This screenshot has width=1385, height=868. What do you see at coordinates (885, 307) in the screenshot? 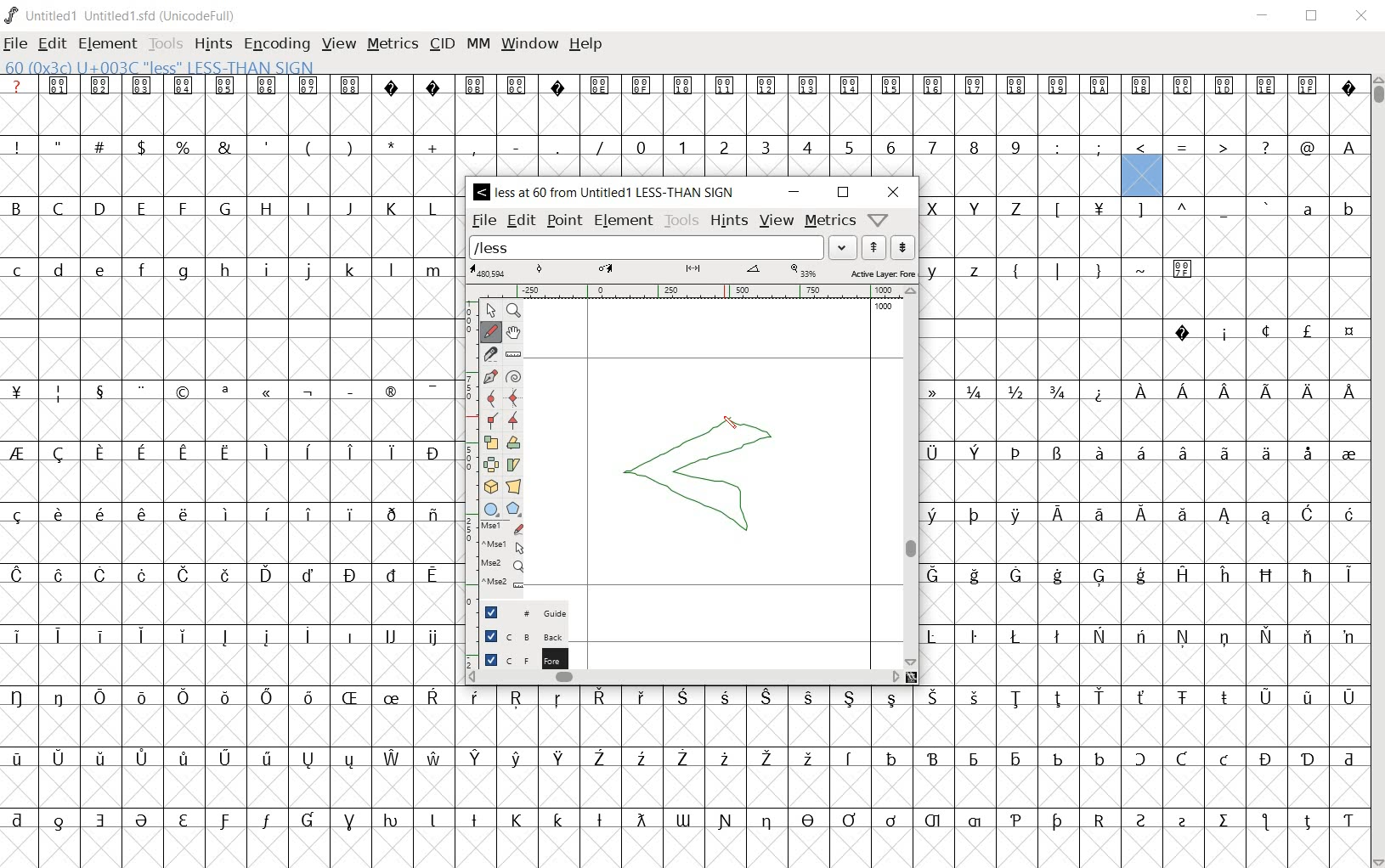
I see `1000` at bounding box center [885, 307].